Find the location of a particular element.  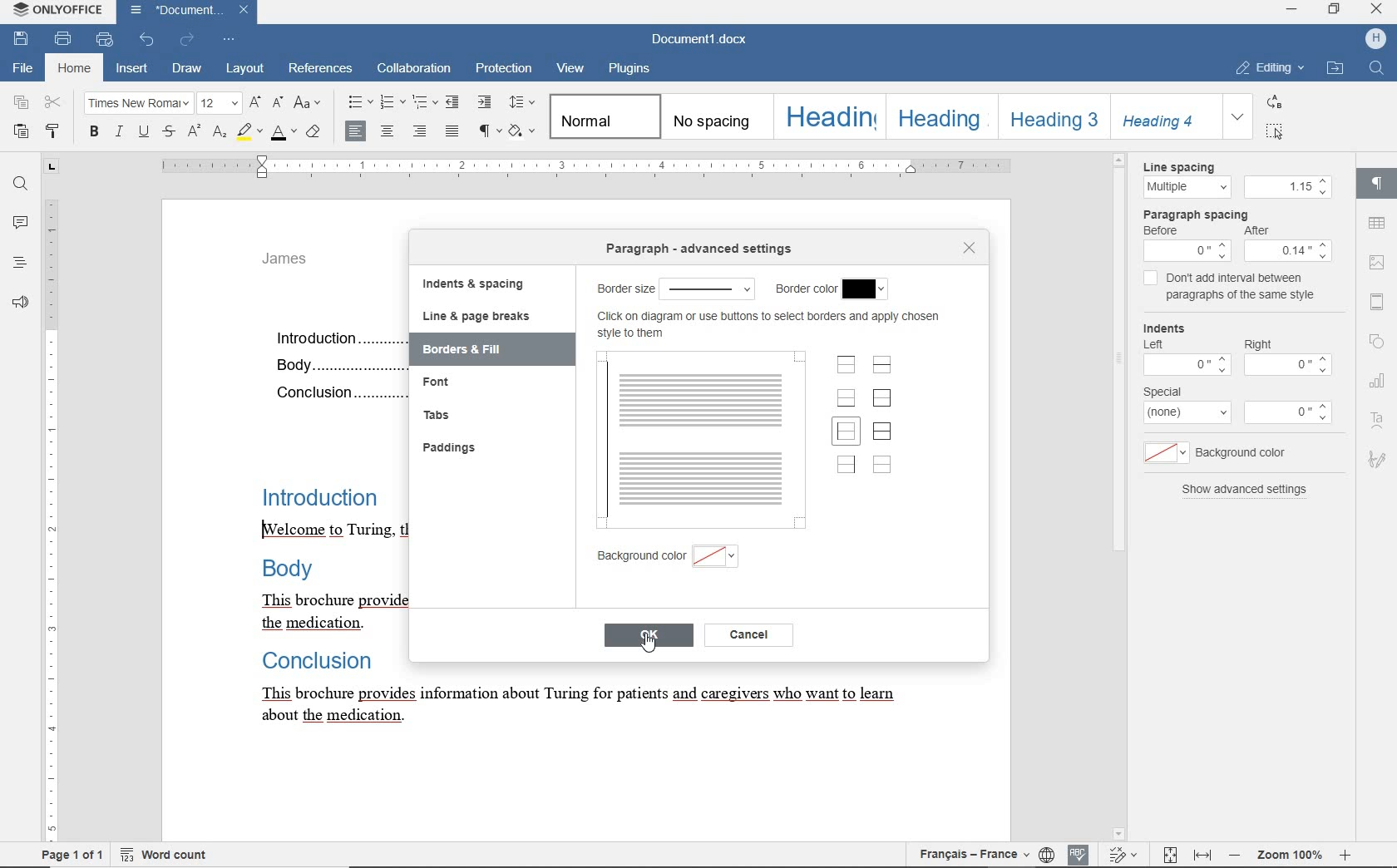

don't add interval between paragraphs of the same style is located at coordinates (1246, 289).